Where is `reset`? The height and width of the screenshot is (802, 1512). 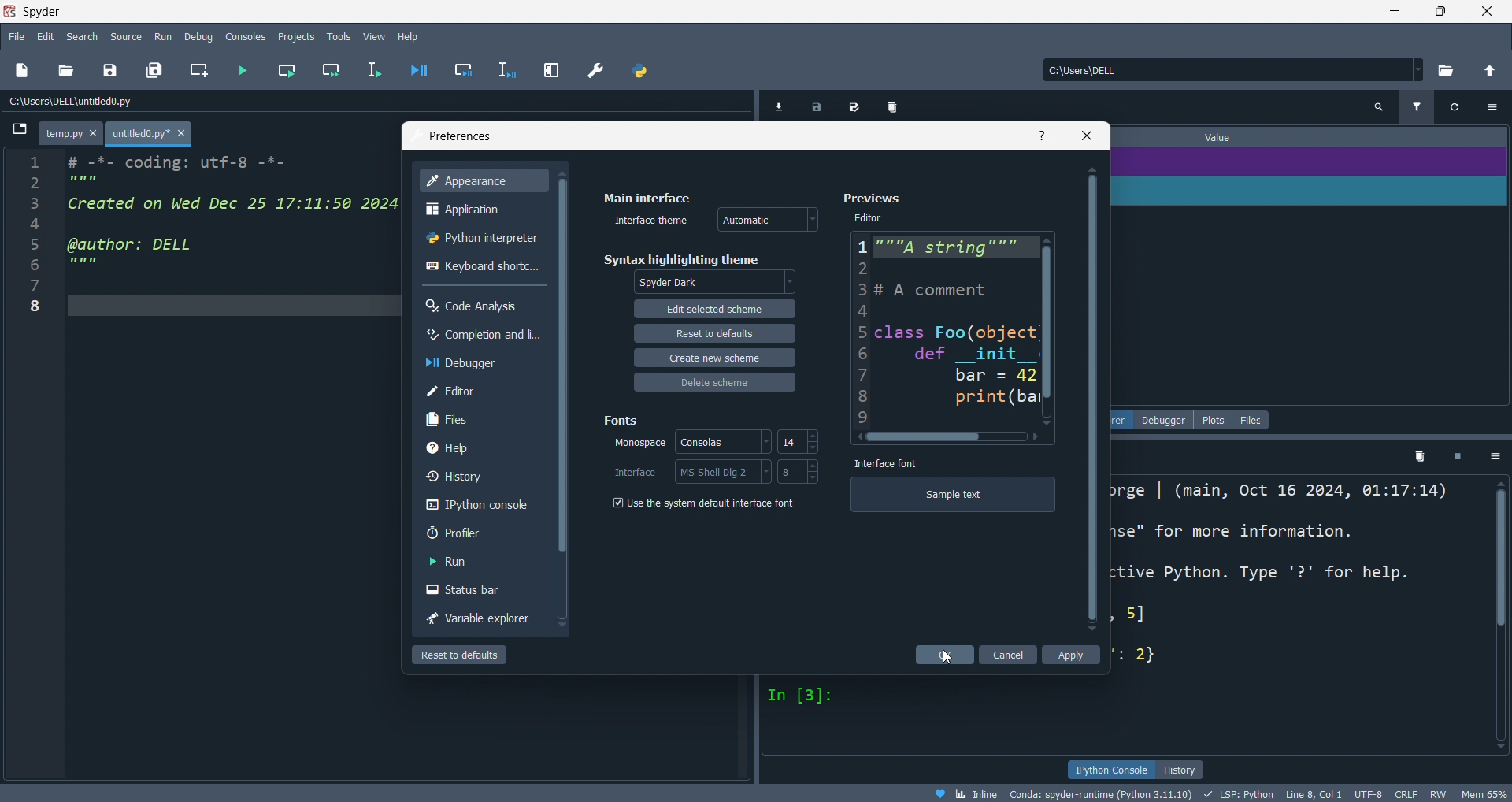
reset is located at coordinates (713, 332).